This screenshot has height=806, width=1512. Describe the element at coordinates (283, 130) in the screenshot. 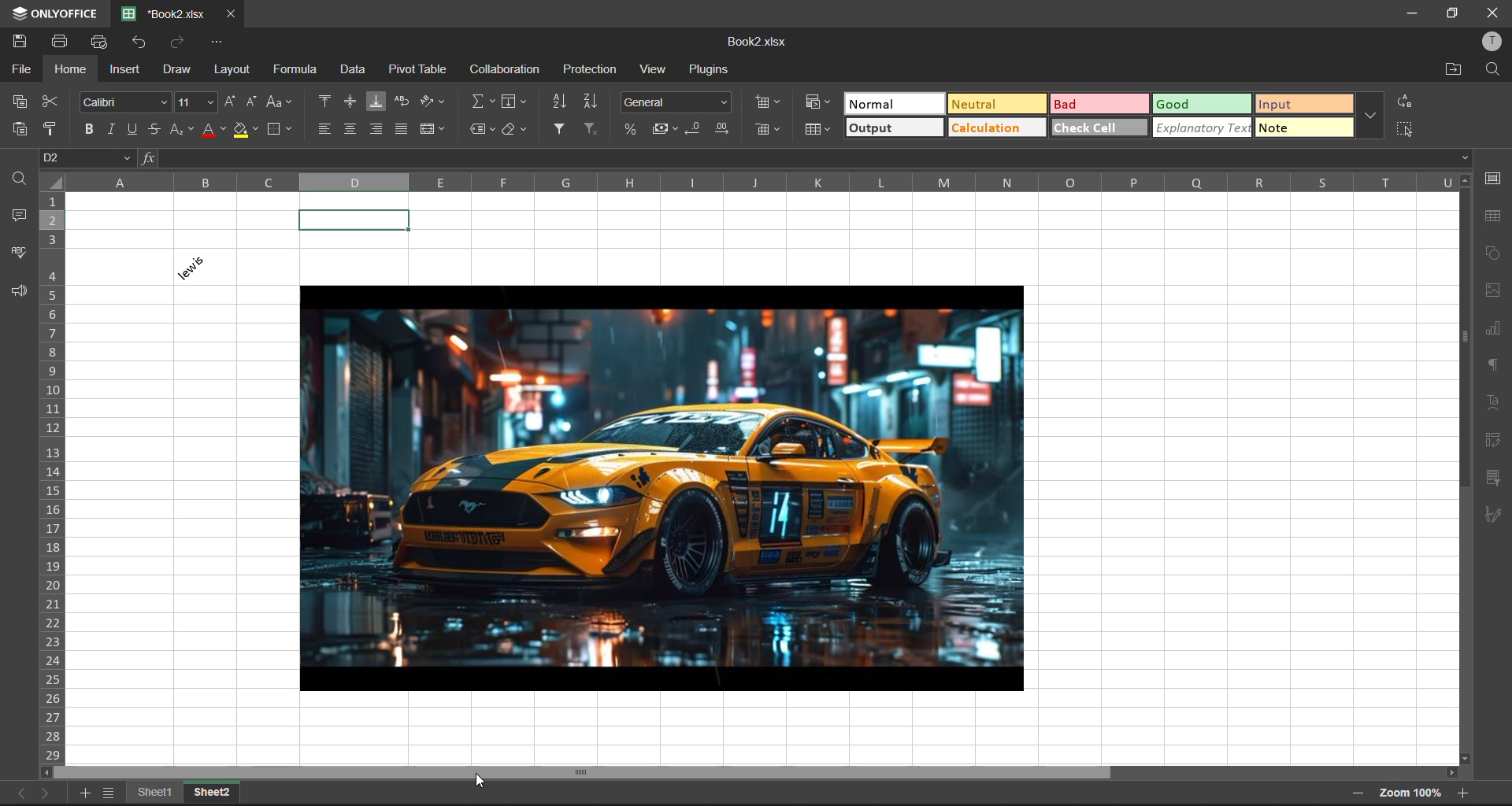

I see `borders` at that location.